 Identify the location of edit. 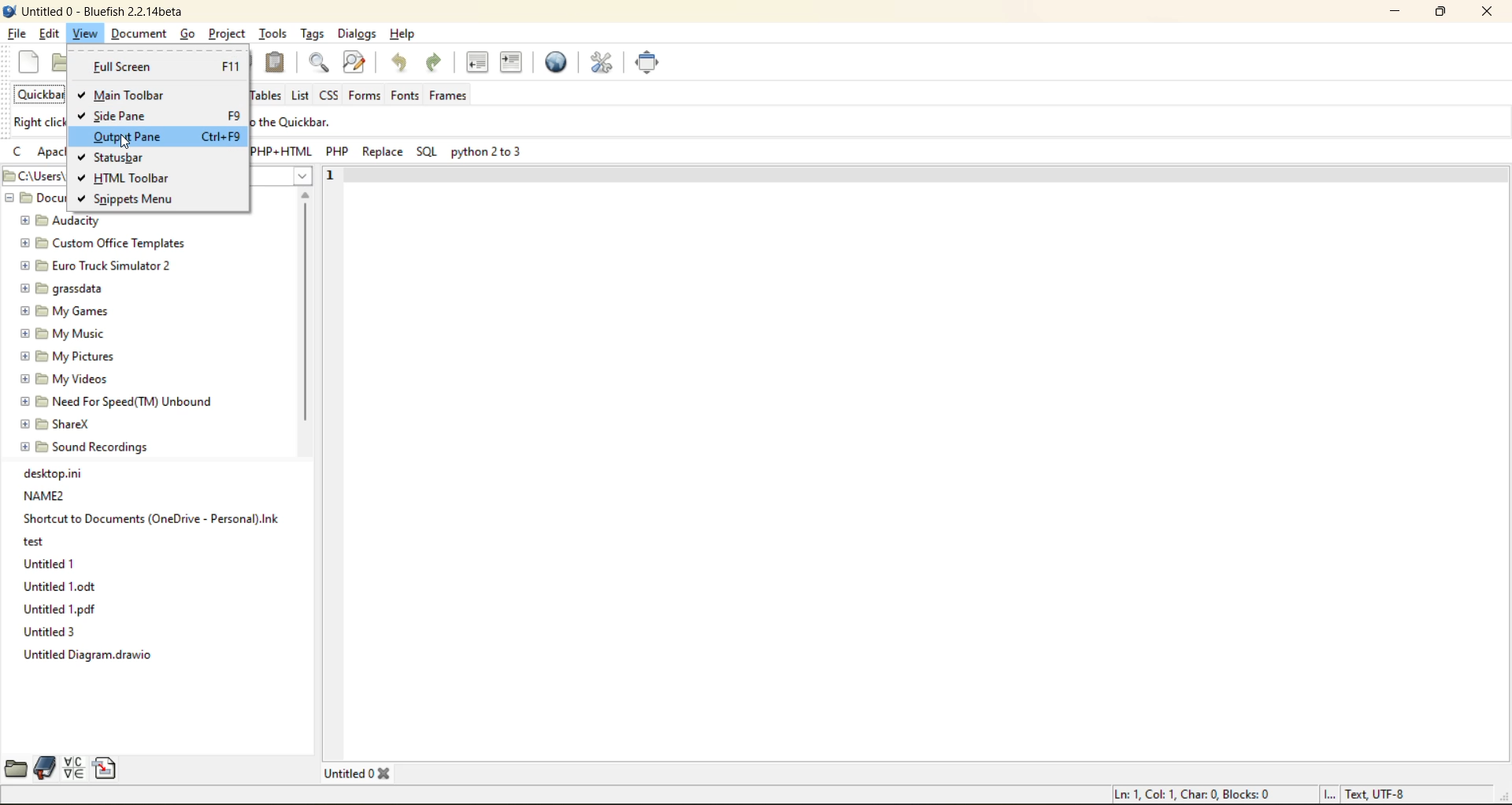
(51, 34).